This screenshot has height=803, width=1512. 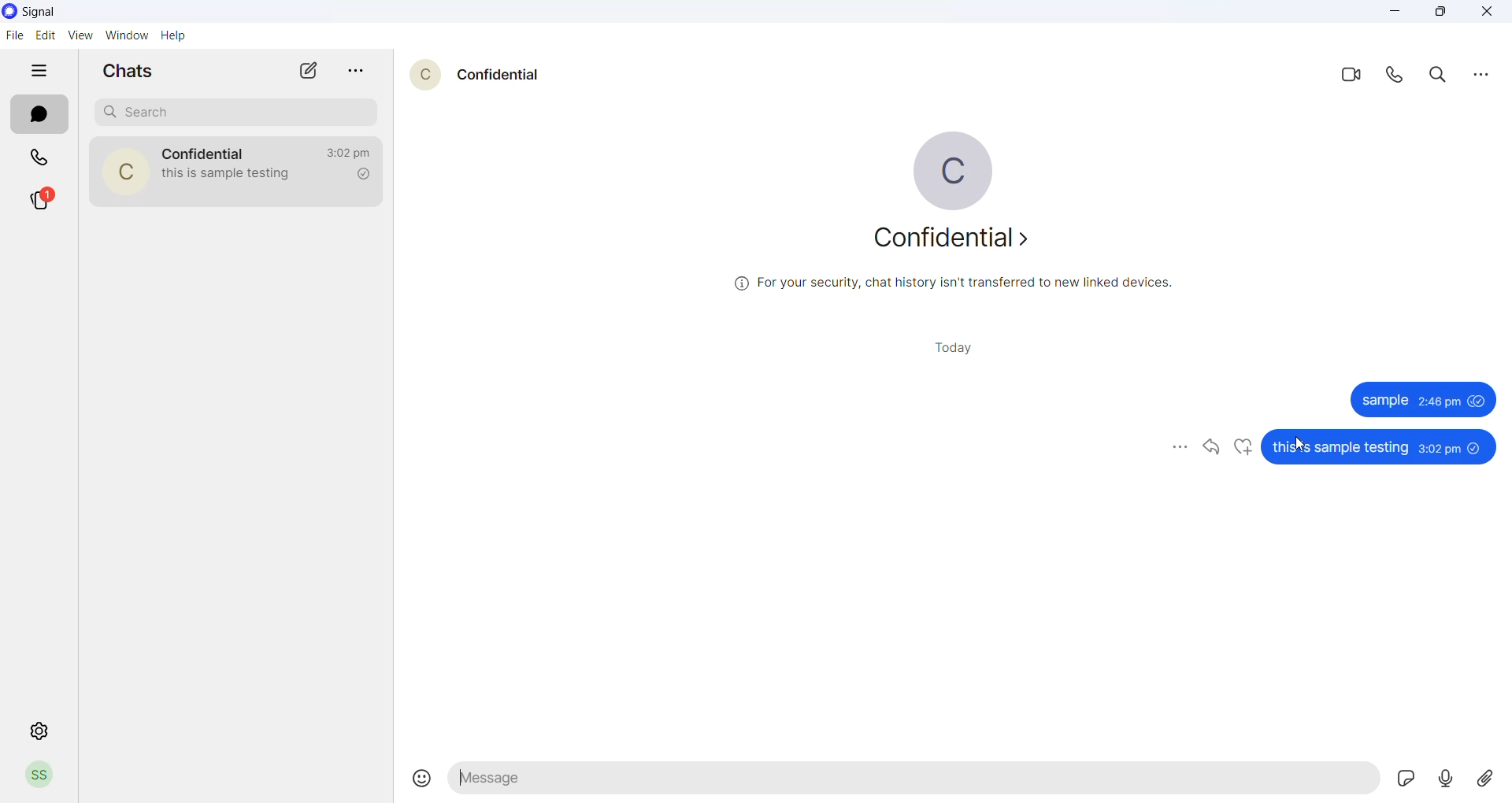 I want to click on , so click(x=1383, y=444).